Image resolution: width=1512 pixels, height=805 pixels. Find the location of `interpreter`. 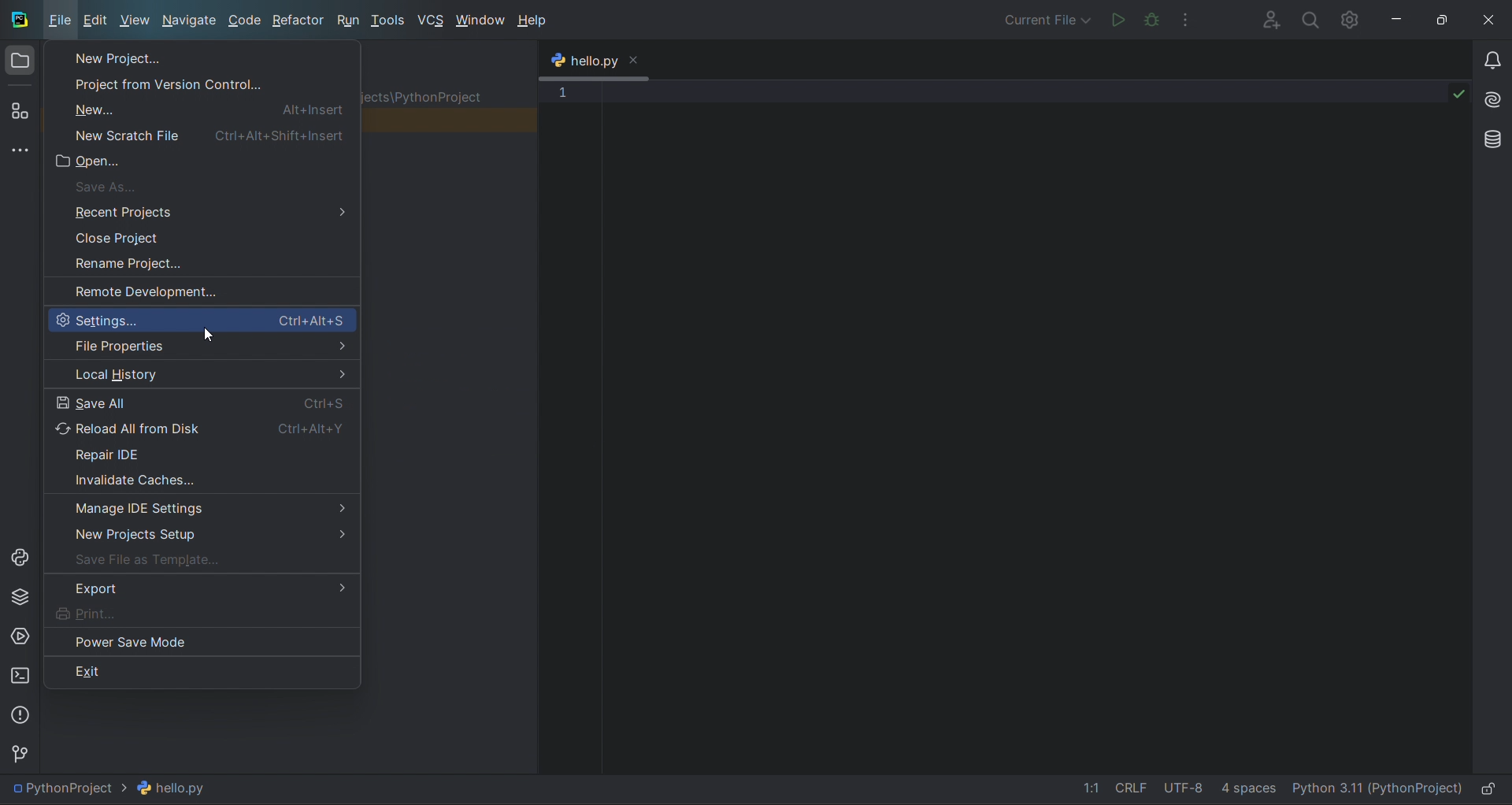

interpreter is located at coordinates (1375, 791).